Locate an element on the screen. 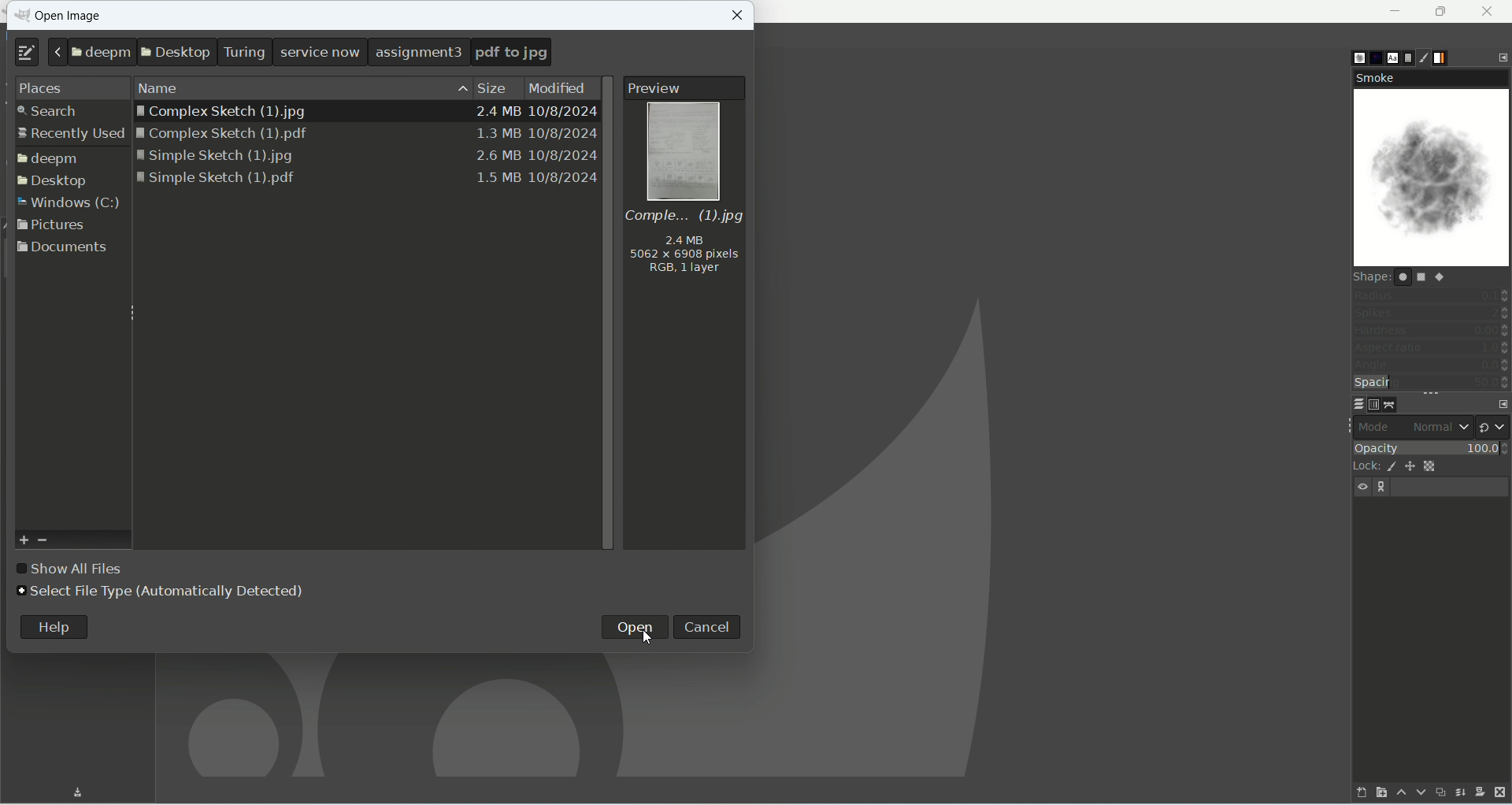 This screenshot has height=805, width=1512. channels is located at coordinates (1377, 404).